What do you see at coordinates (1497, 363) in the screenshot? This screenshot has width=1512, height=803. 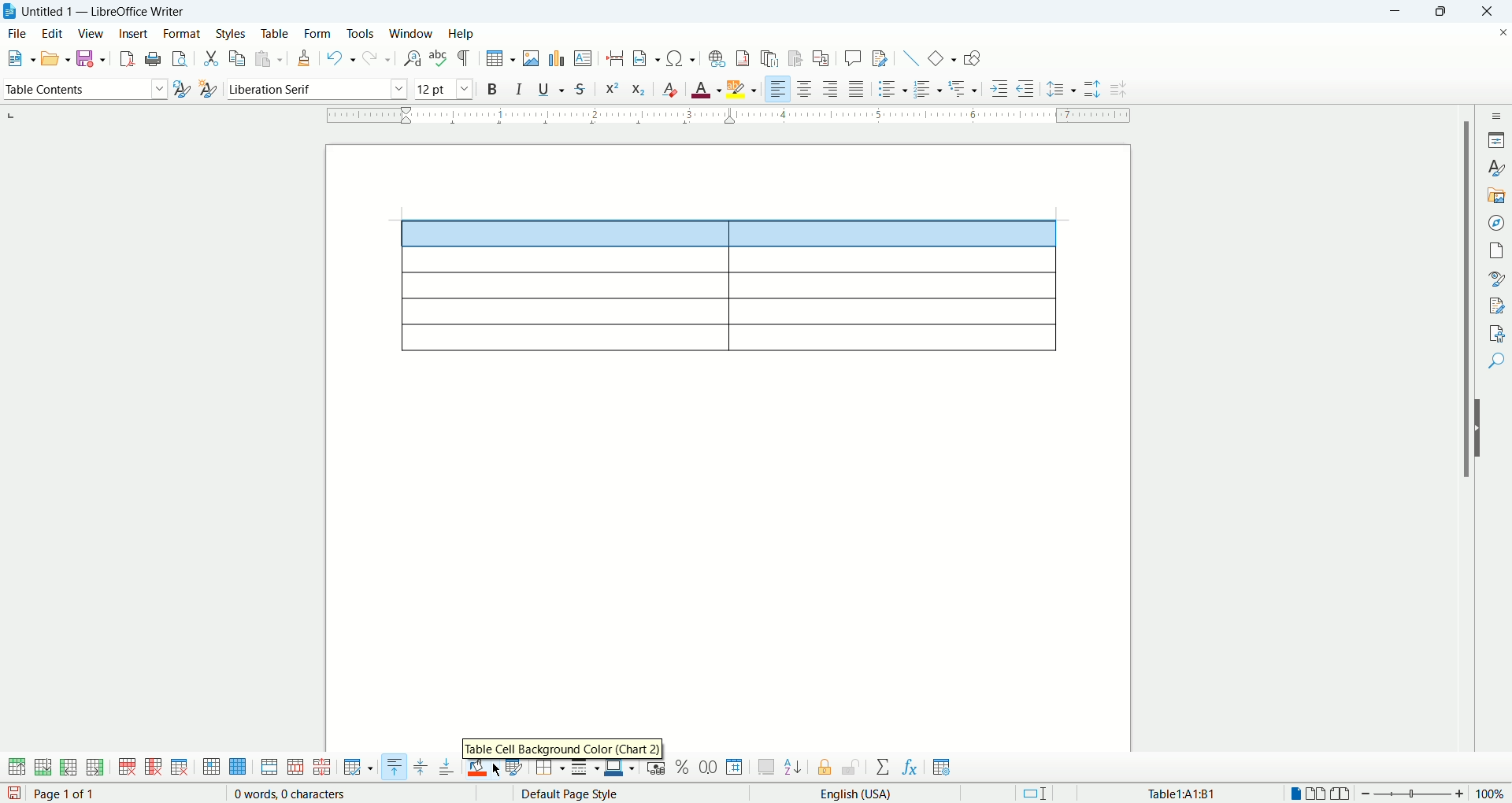 I see `find` at bounding box center [1497, 363].